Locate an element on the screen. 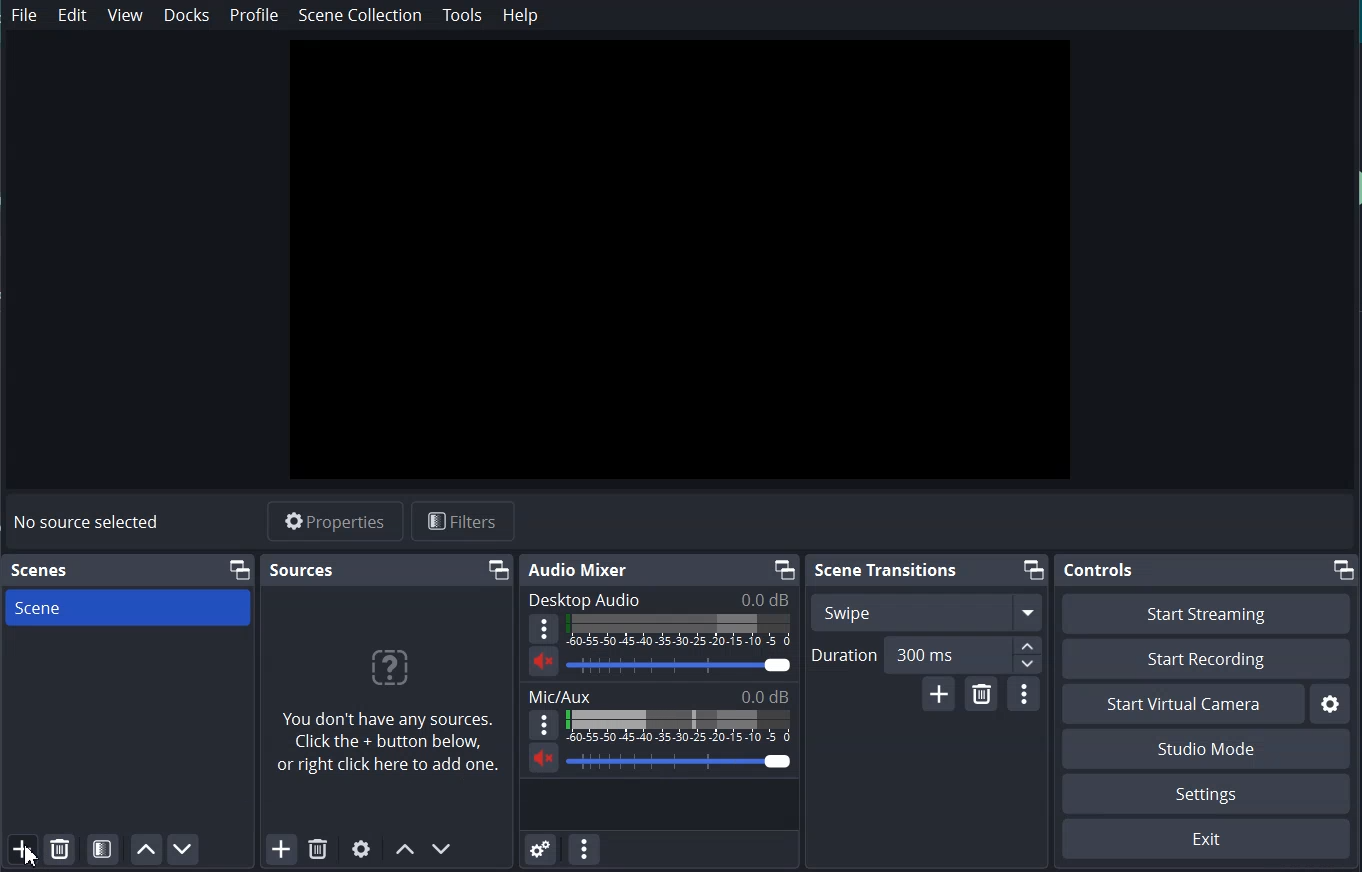 The height and width of the screenshot is (872, 1362). File preview window is located at coordinates (679, 260).